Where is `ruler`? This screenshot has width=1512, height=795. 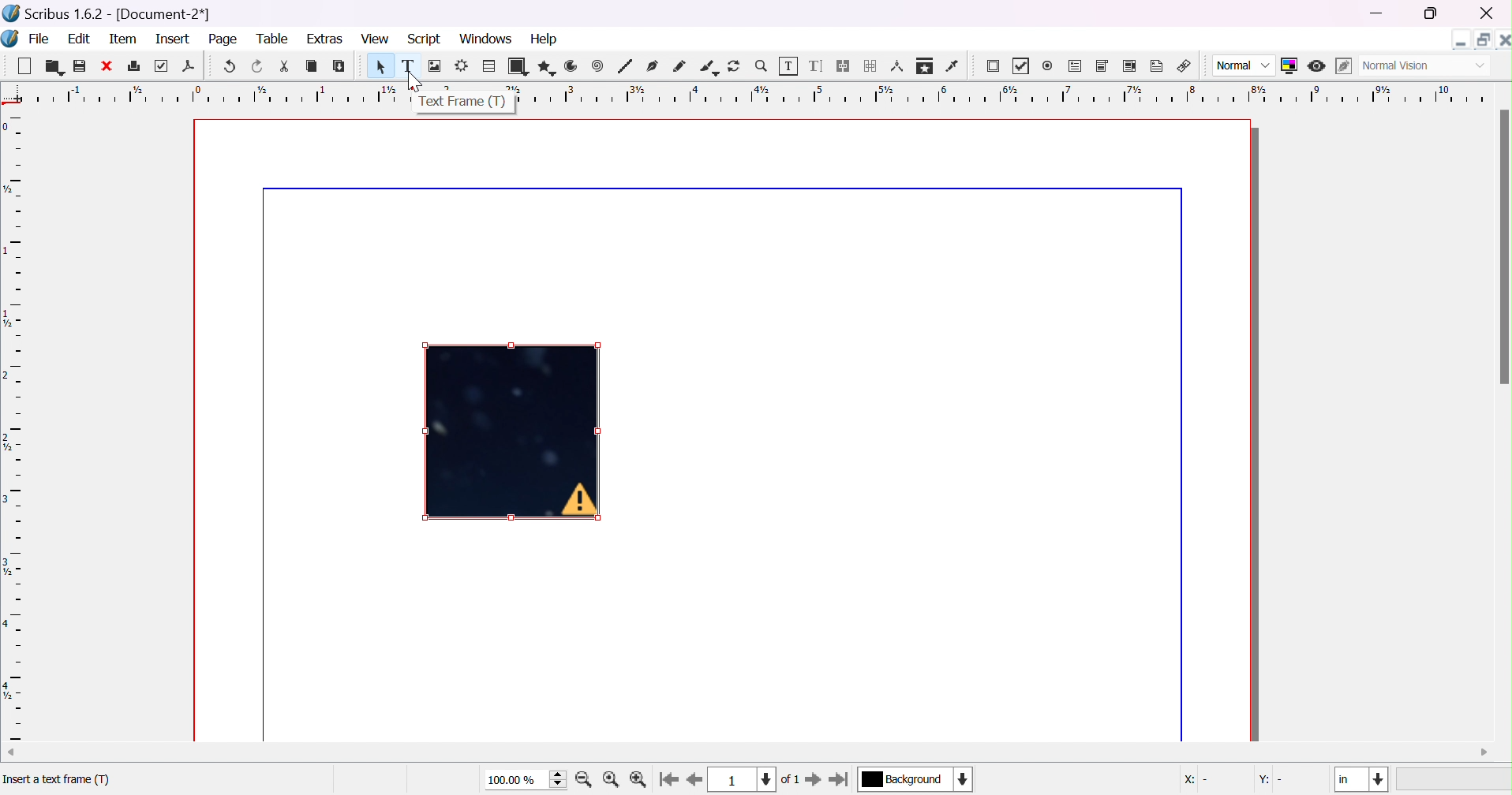
ruler is located at coordinates (13, 427).